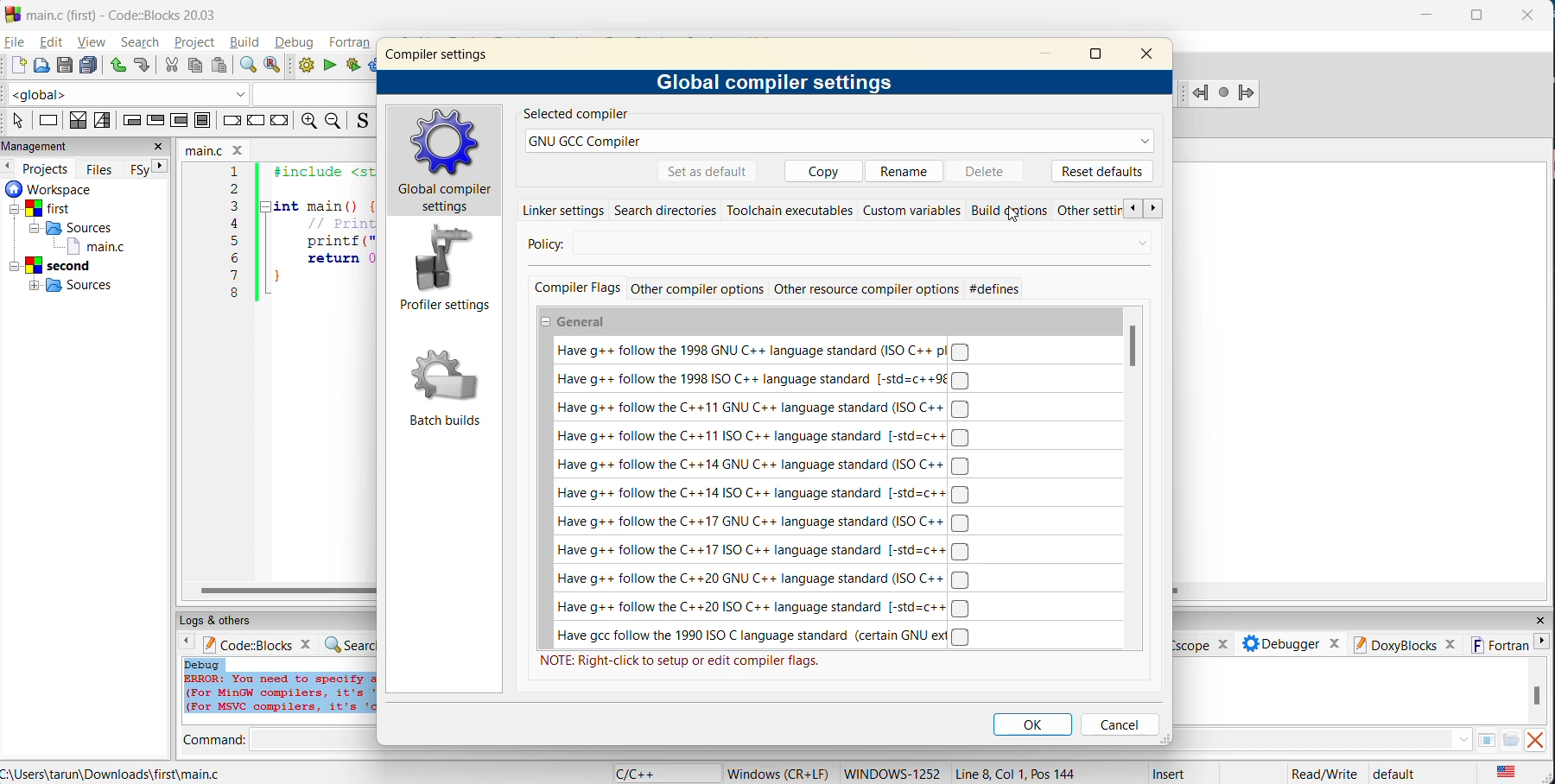  Describe the element at coordinates (1117, 724) in the screenshot. I see `cancel` at that location.